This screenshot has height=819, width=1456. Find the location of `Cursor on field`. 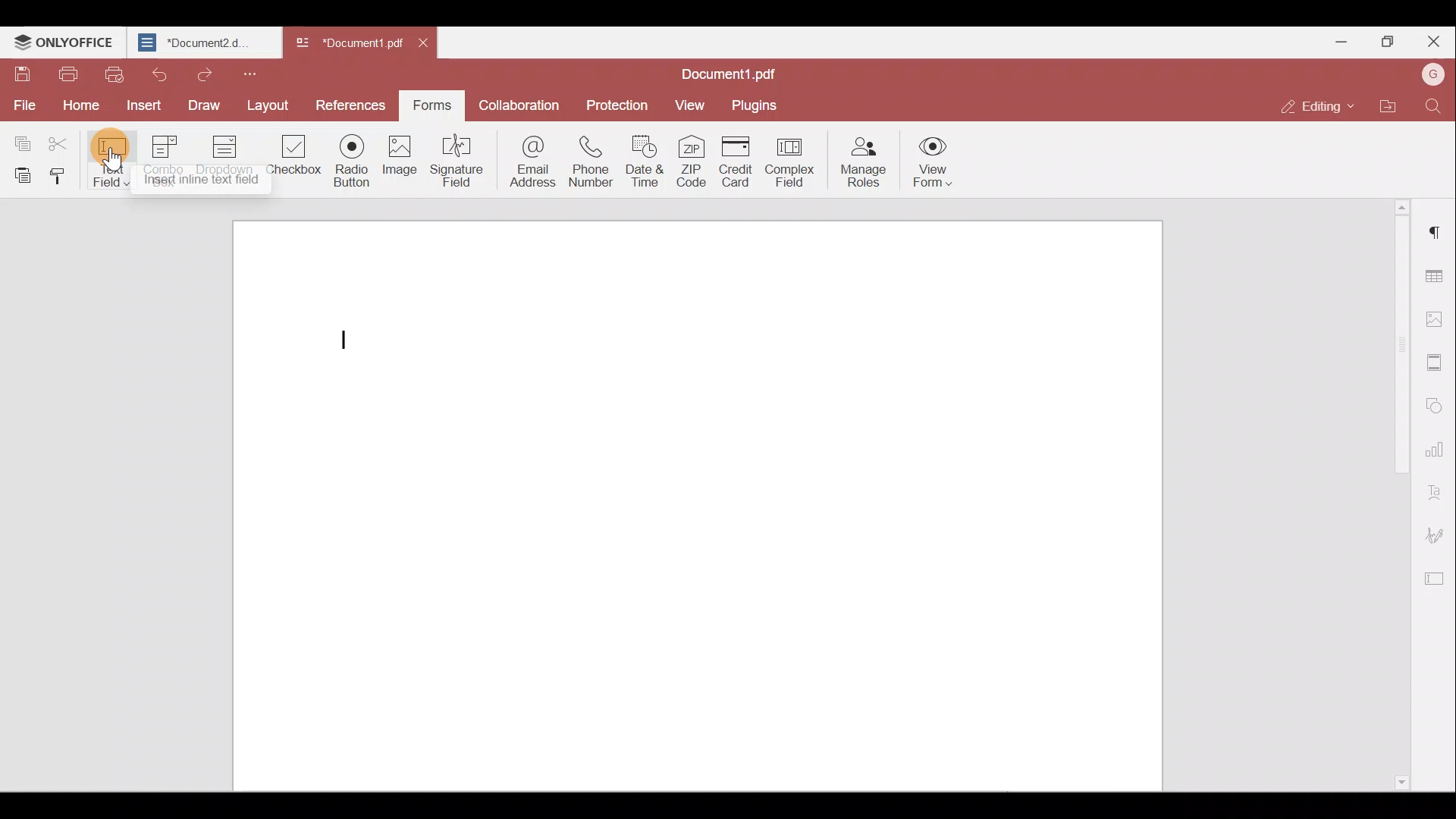

Cursor on field is located at coordinates (112, 178).